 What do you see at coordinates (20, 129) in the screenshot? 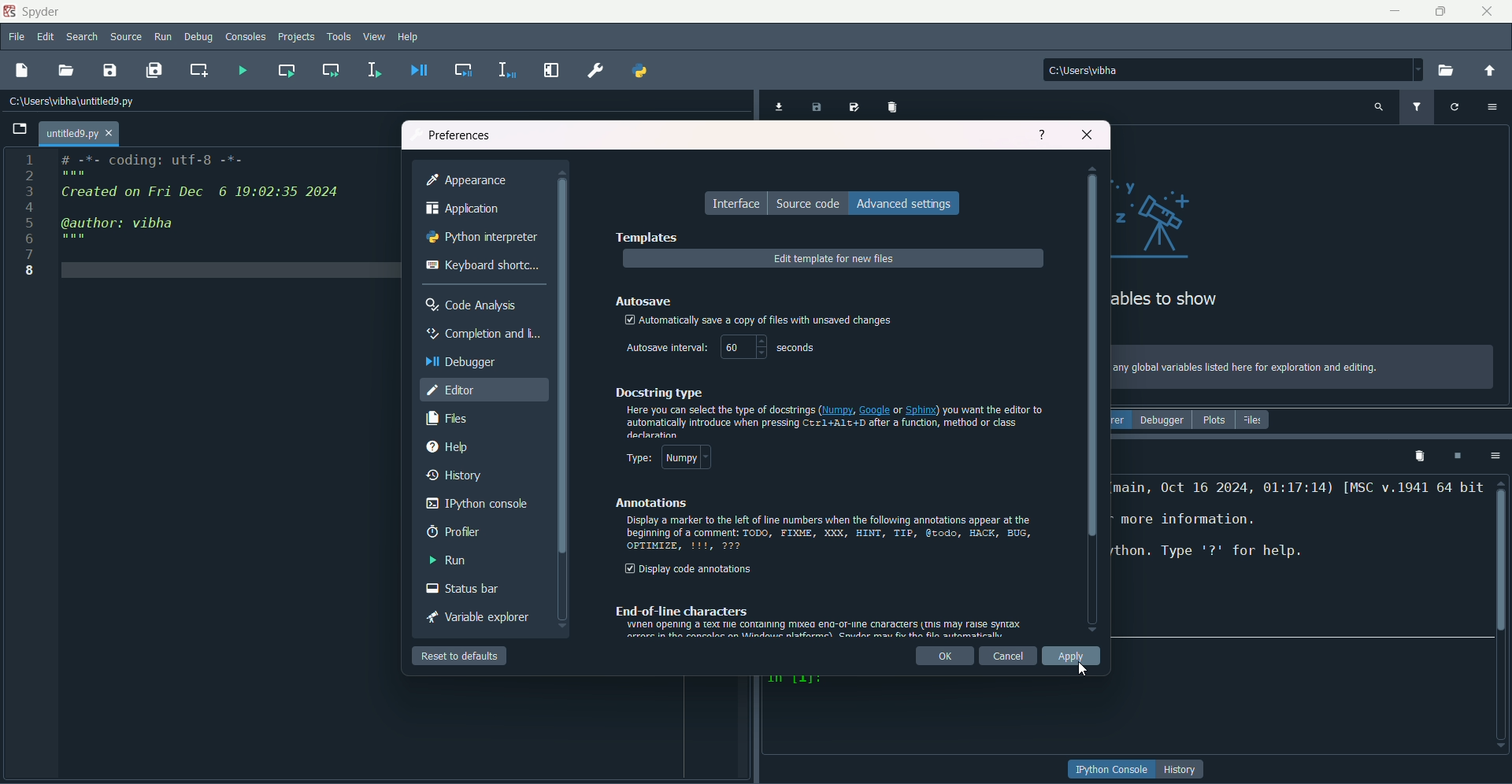
I see `Open file` at bounding box center [20, 129].